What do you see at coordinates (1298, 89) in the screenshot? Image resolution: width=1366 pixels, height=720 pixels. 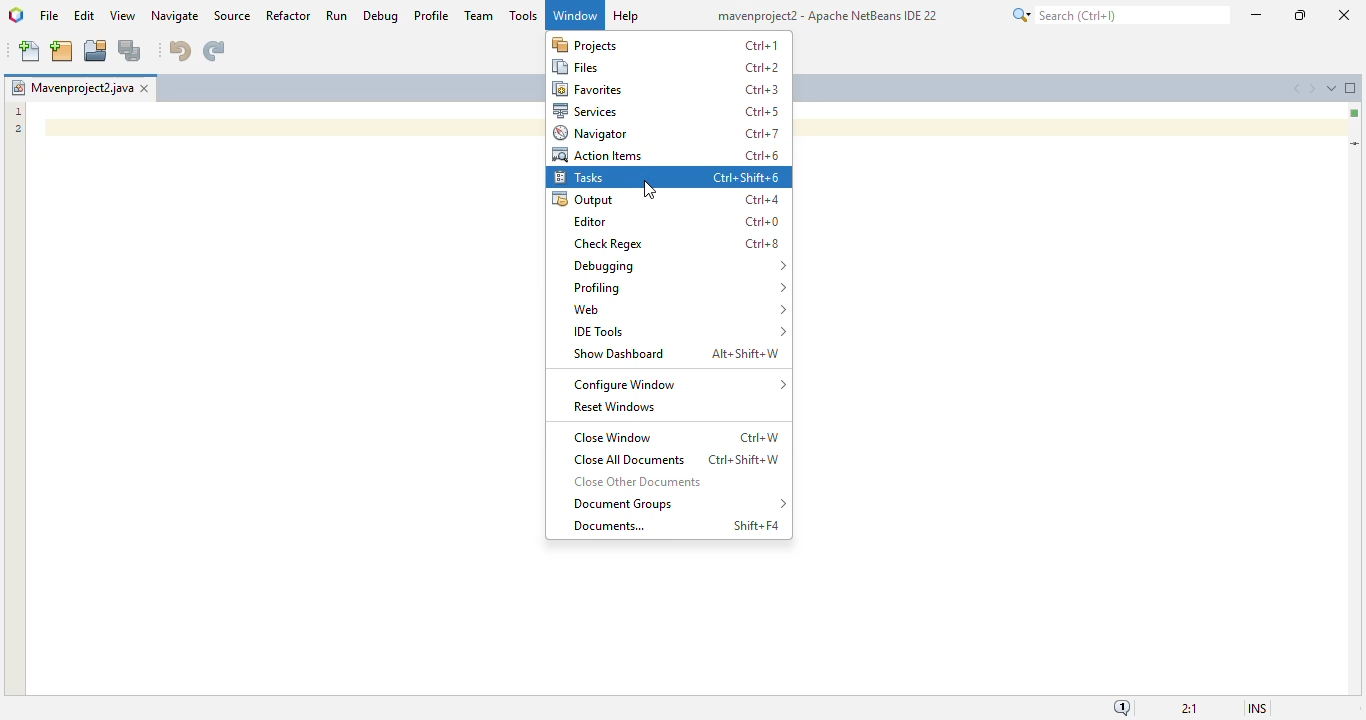 I see `scroll documents left` at bounding box center [1298, 89].